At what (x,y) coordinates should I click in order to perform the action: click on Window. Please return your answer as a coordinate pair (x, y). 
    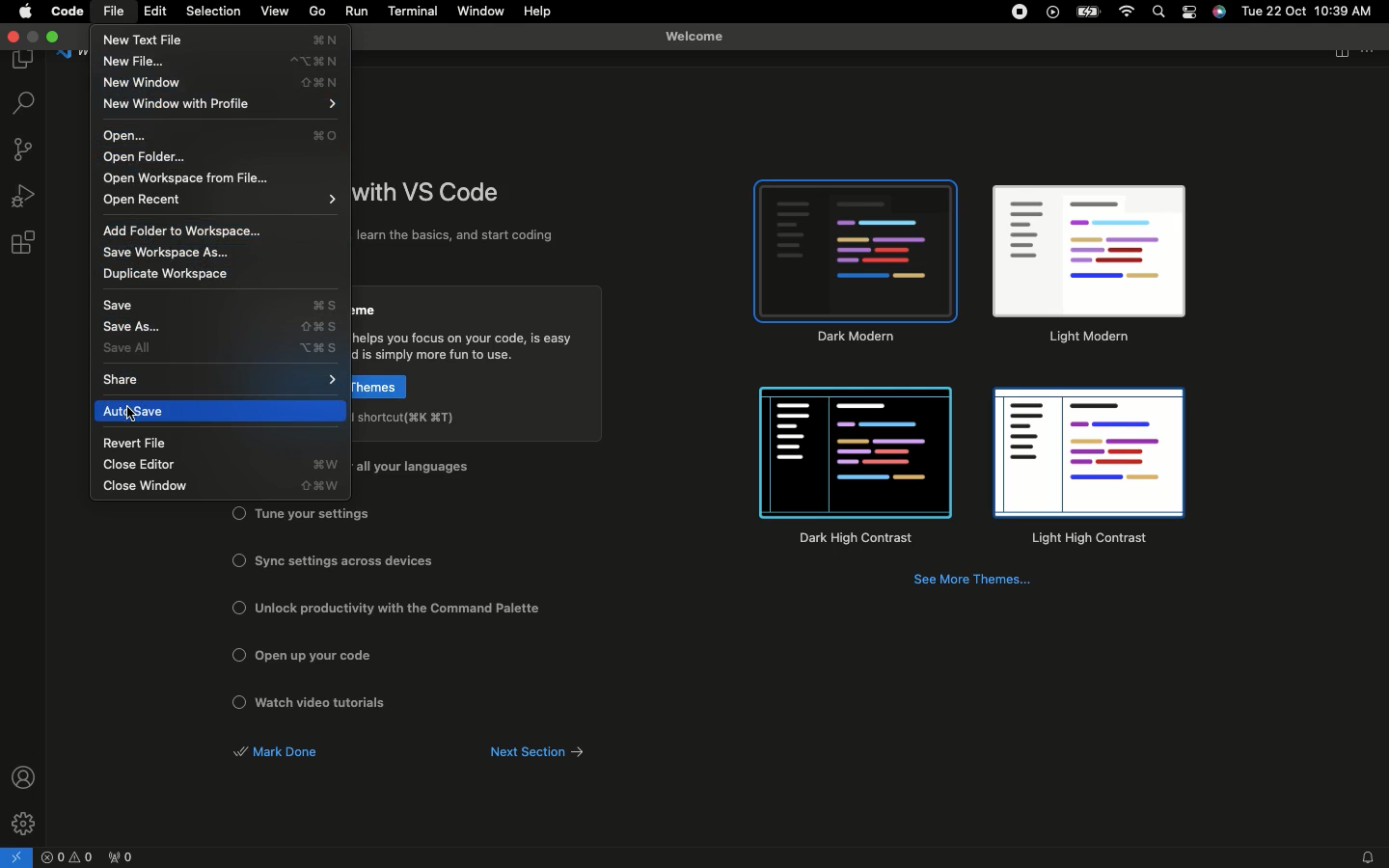
    Looking at the image, I should click on (483, 12).